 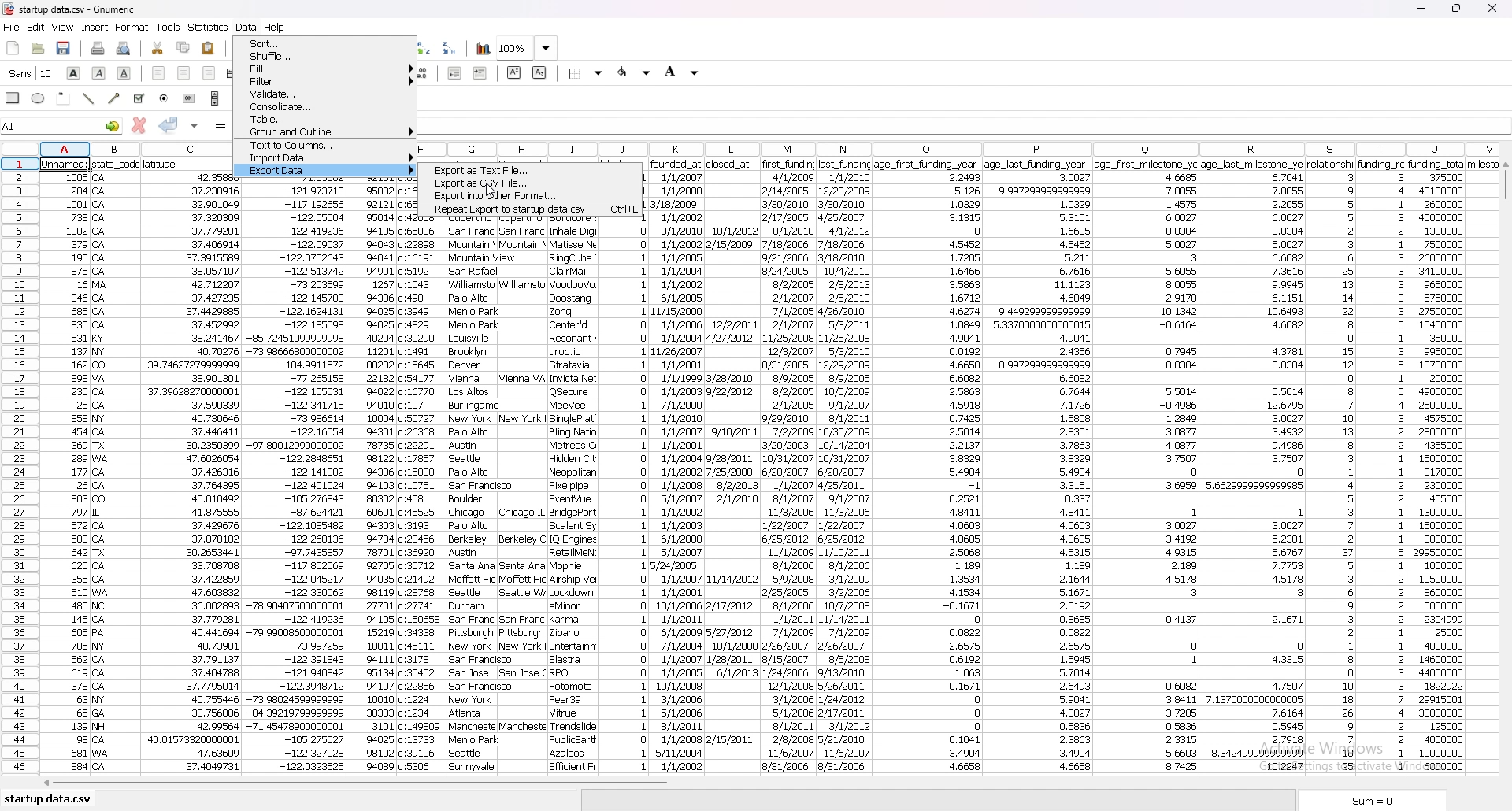 What do you see at coordinates (169, 124) in the screenshot?
I see `accept changes` at bounding box center [169, 124].